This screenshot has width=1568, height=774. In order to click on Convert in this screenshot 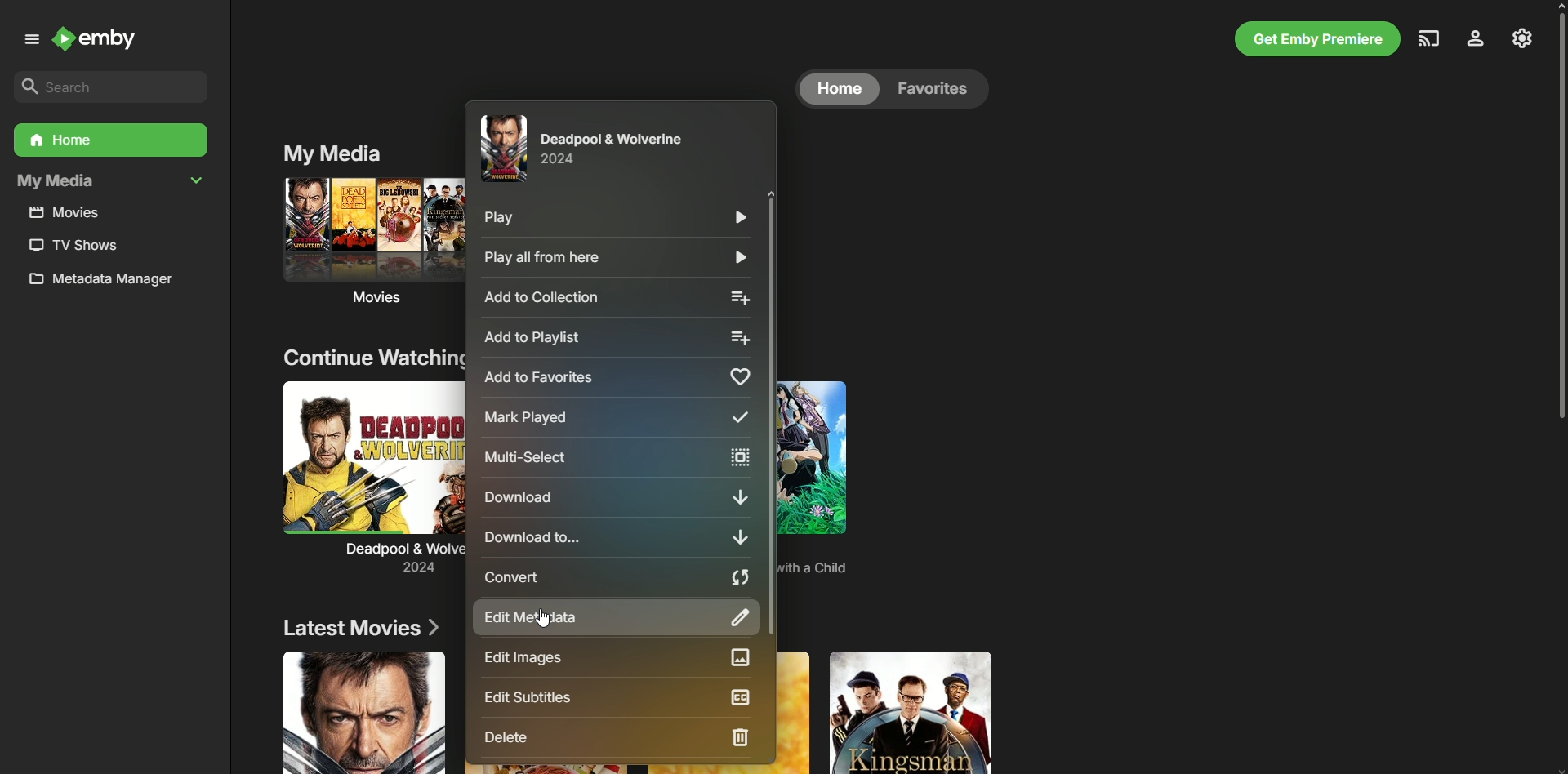, I will do `click(615, 576)`.